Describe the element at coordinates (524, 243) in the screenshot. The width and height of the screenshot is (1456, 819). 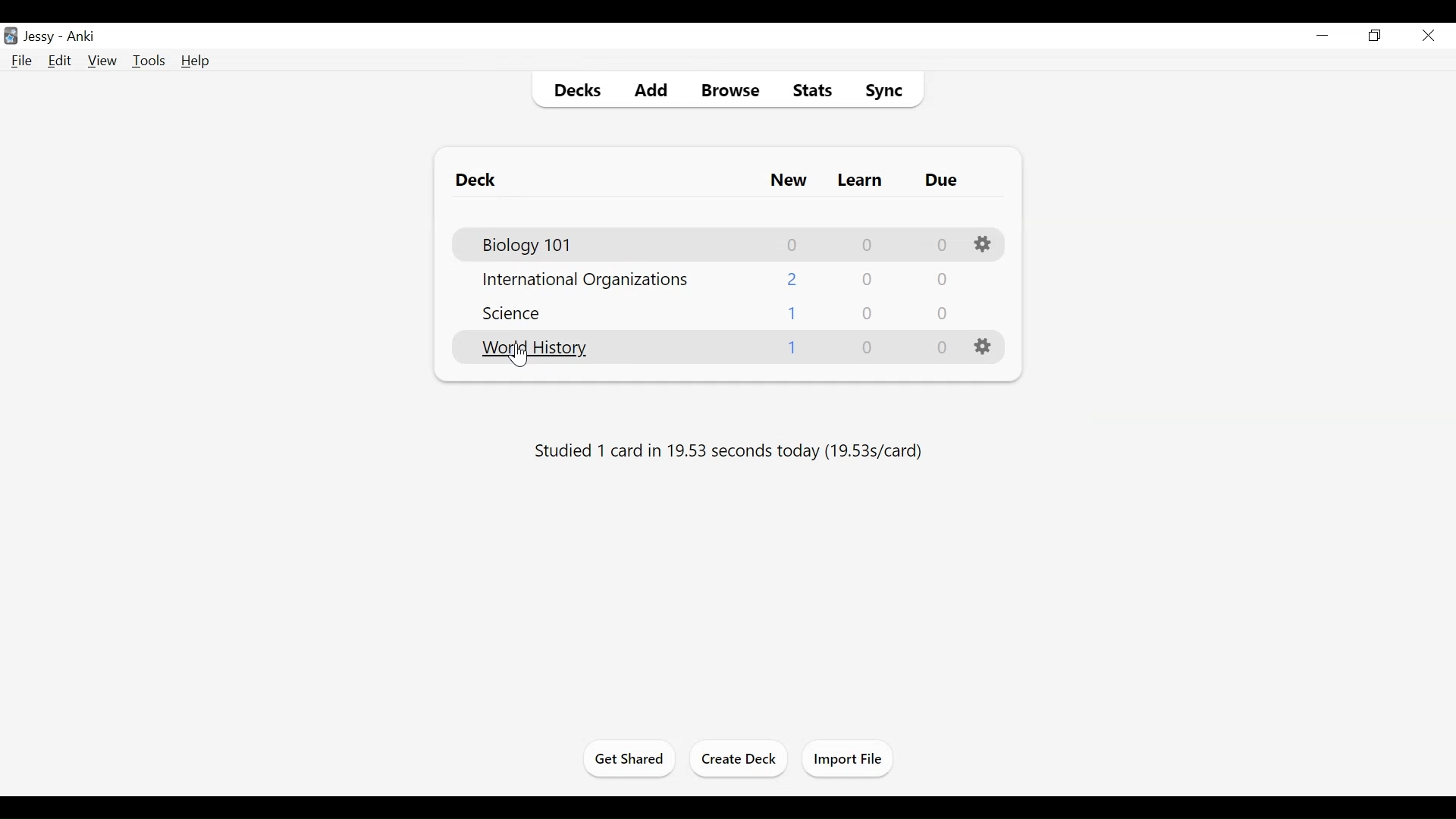
I see `Biology 101` at that location.